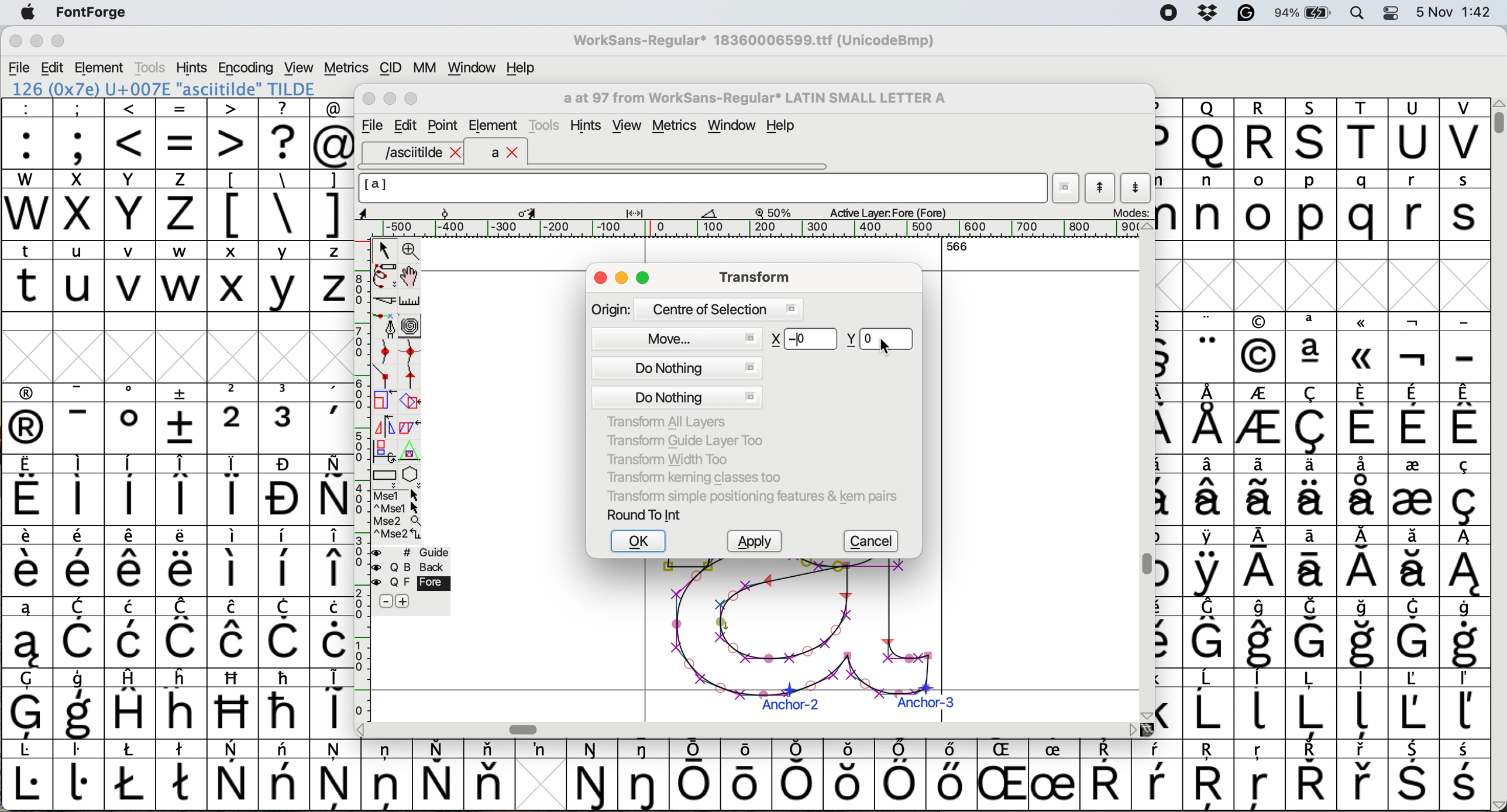  I want to click on symbol, so click(181, 562).